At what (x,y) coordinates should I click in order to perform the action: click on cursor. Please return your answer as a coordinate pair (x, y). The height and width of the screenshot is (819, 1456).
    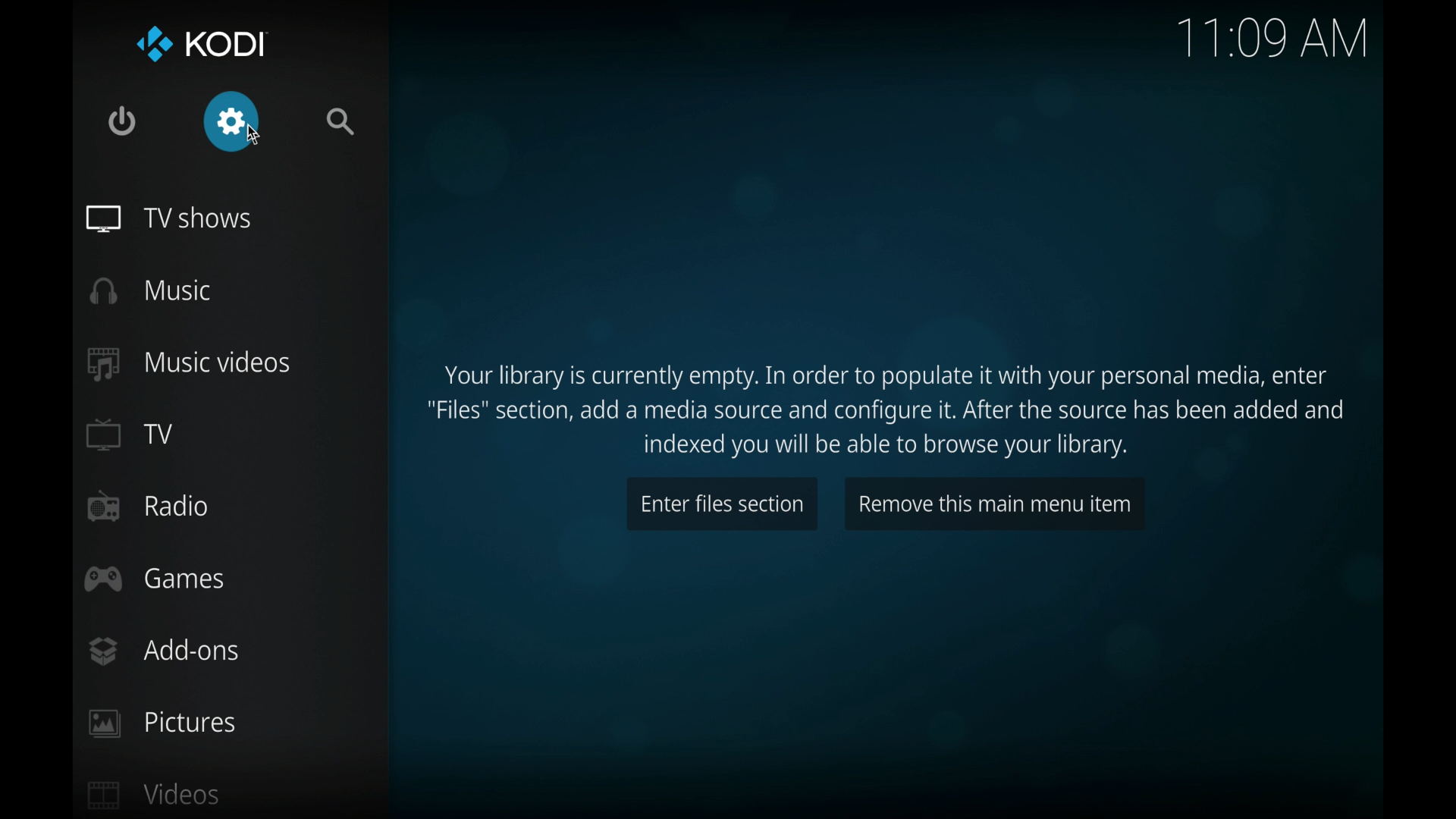
    Looking at the image, I should click on (256, 133).